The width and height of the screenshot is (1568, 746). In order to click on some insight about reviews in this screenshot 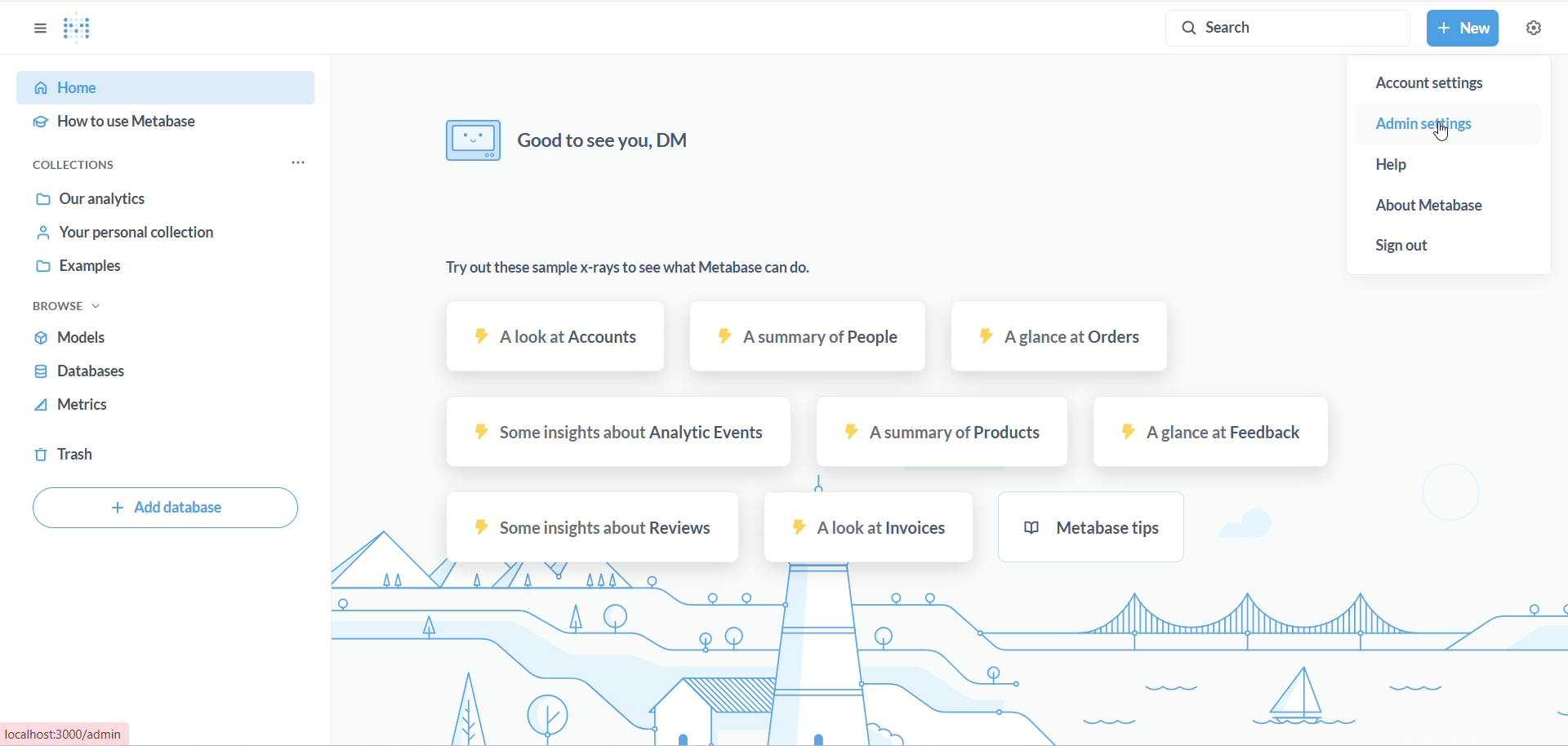, I will do `click(595, 528)`.